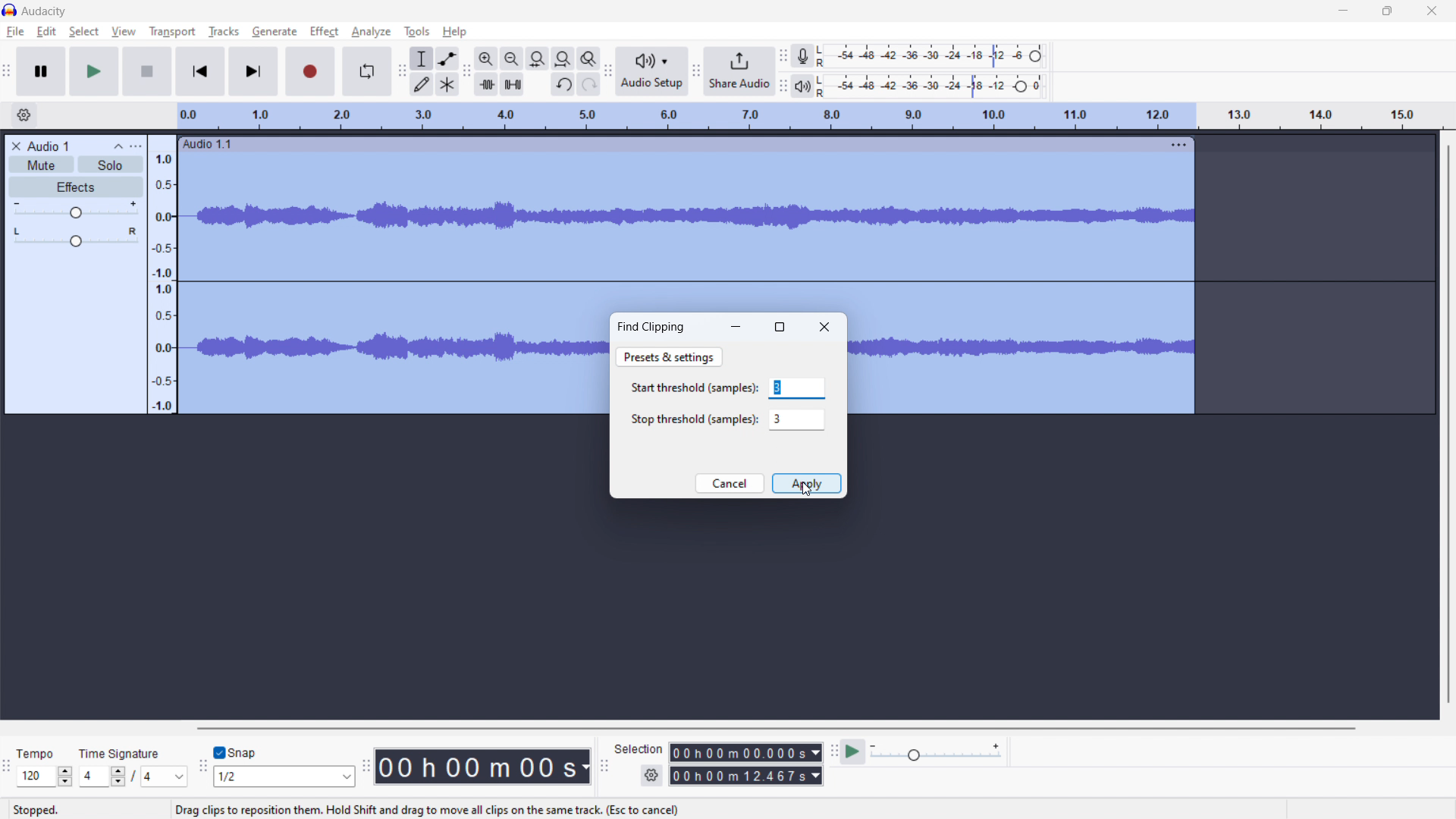 The width and height of the screenshot is (1456, 819). Describe the element at coordinates (689, 388) in the screenshot. I see `Start threshold (samples):` at that location.